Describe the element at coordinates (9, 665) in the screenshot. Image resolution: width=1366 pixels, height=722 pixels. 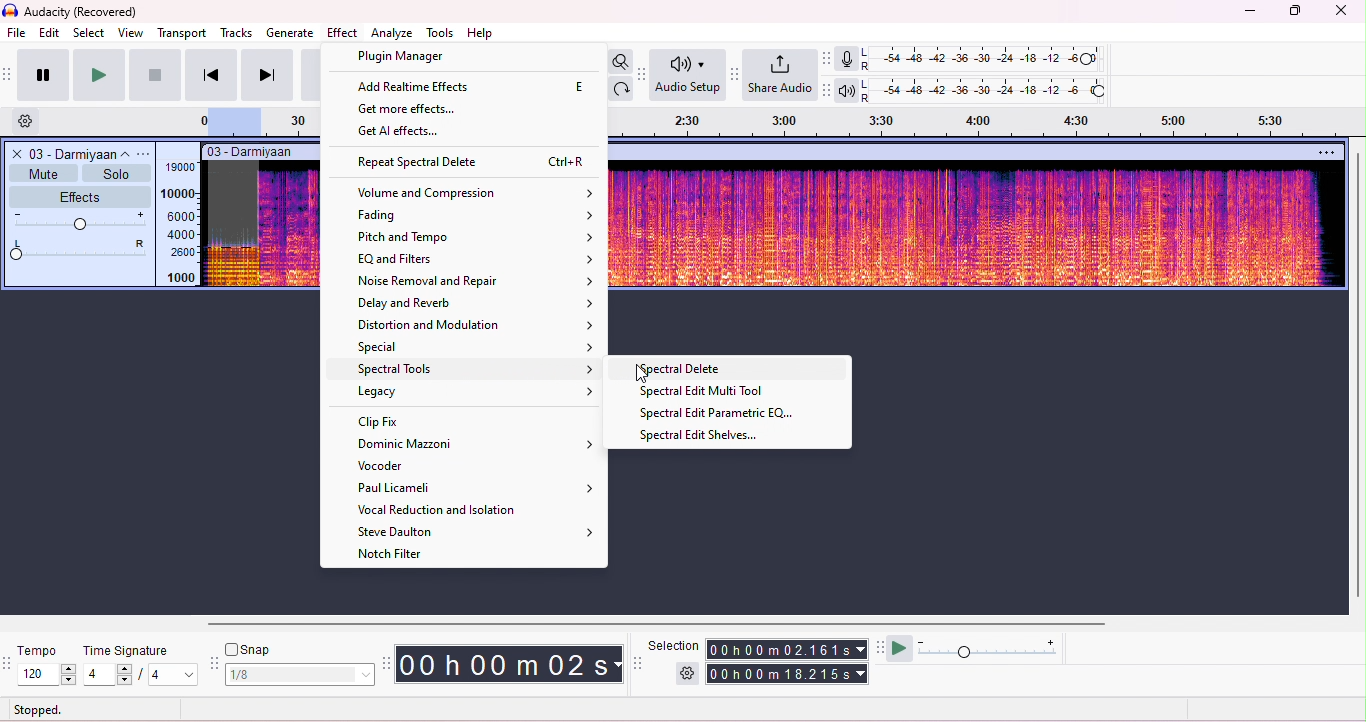
I see `tempo tools` at that location.